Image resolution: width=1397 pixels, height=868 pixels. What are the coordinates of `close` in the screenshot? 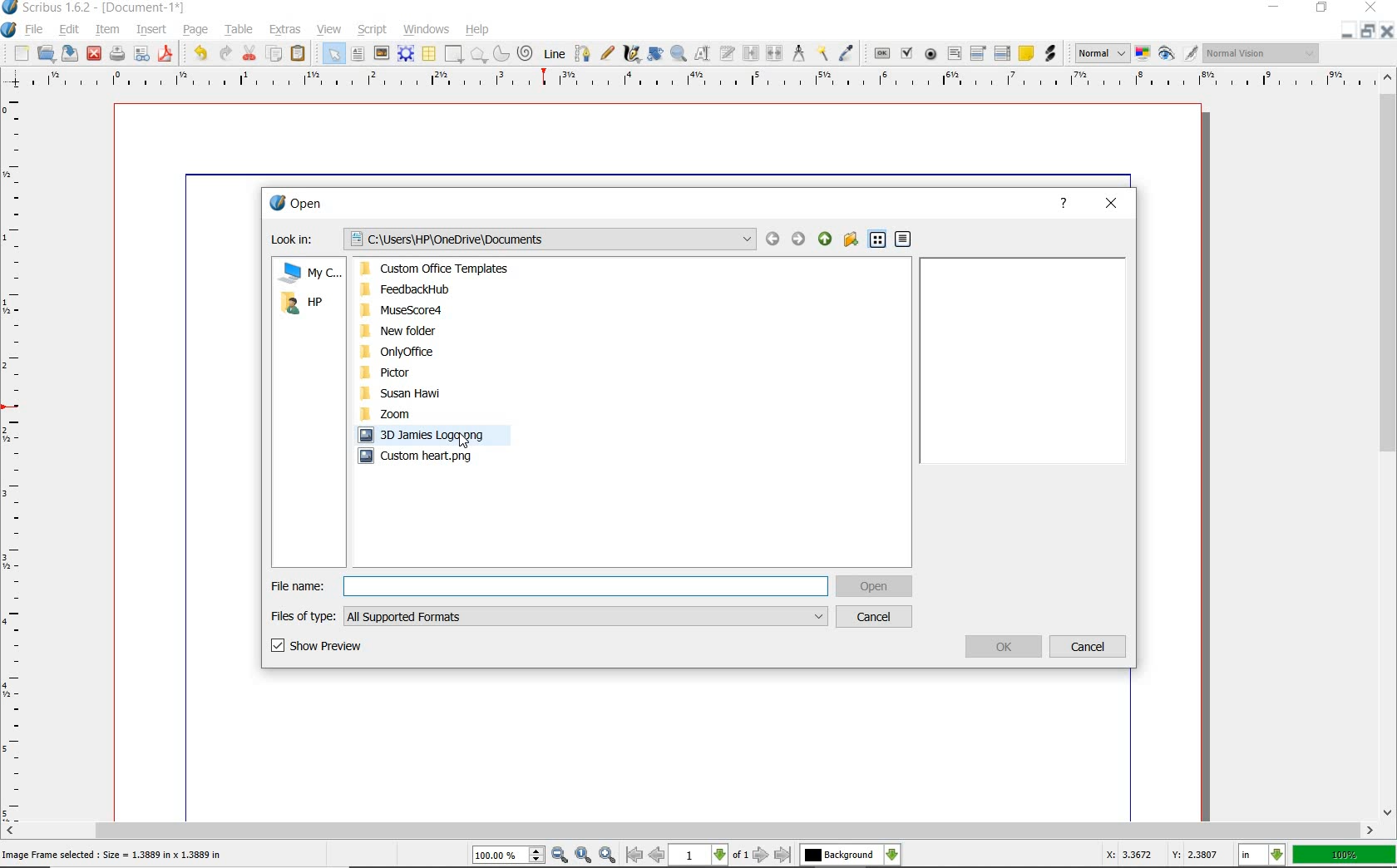 It's located at (1374, 7).